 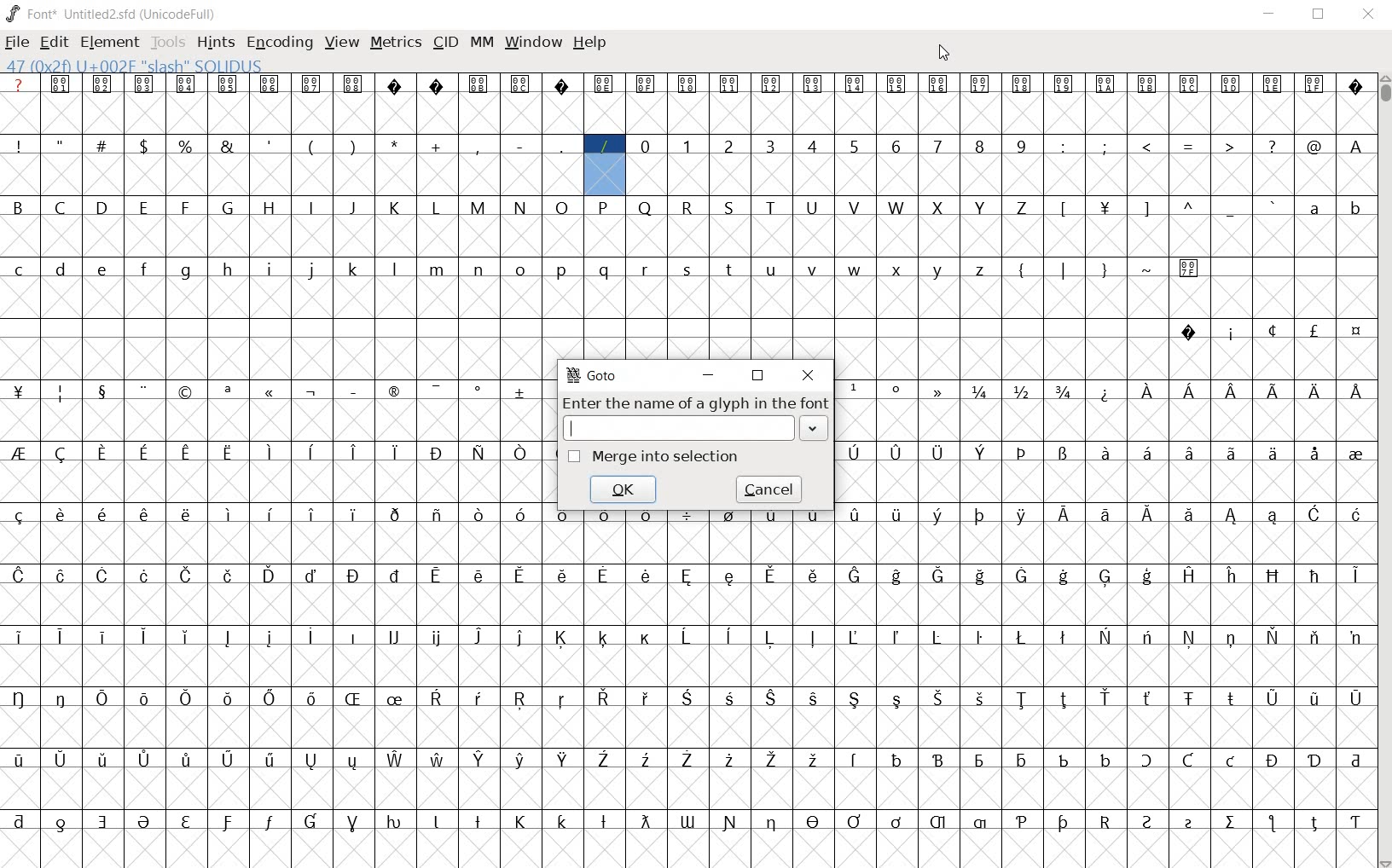 What do you see at coordinates (478, 270) in the screenshot?
I see `glyph` at bounding box center [478, 270].